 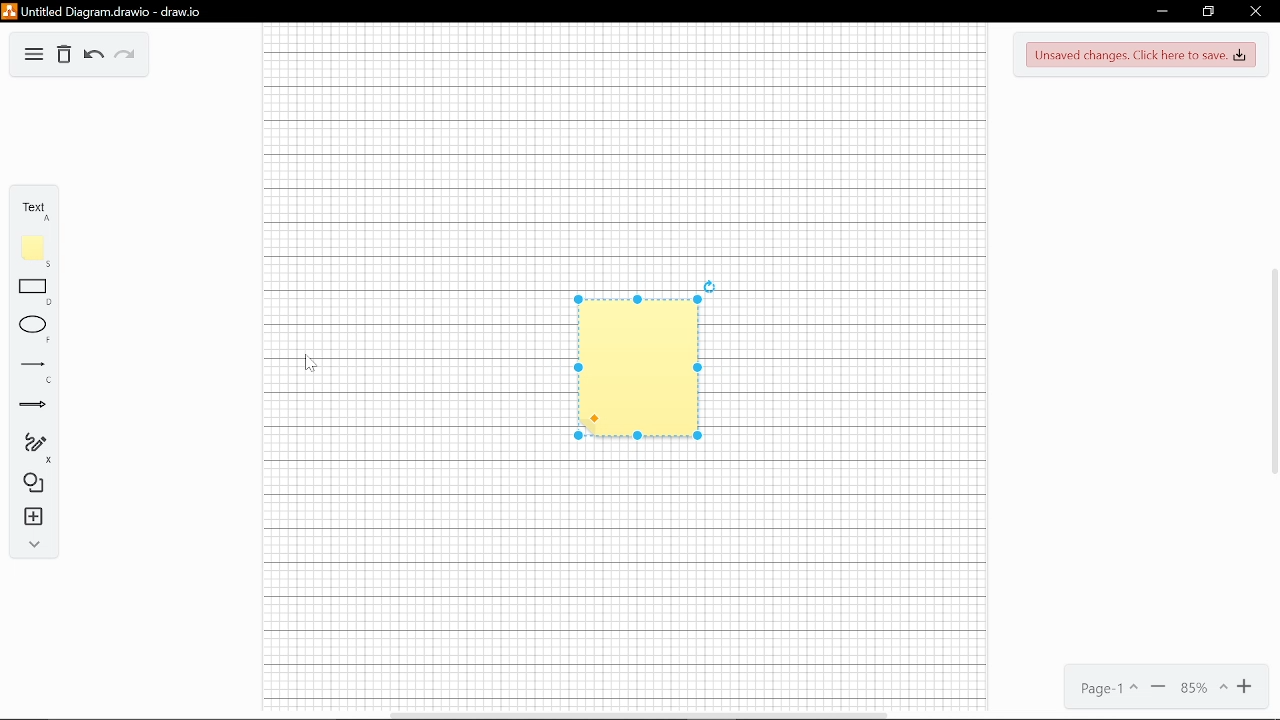 I want to click on Text, so click(x=30, y=208).